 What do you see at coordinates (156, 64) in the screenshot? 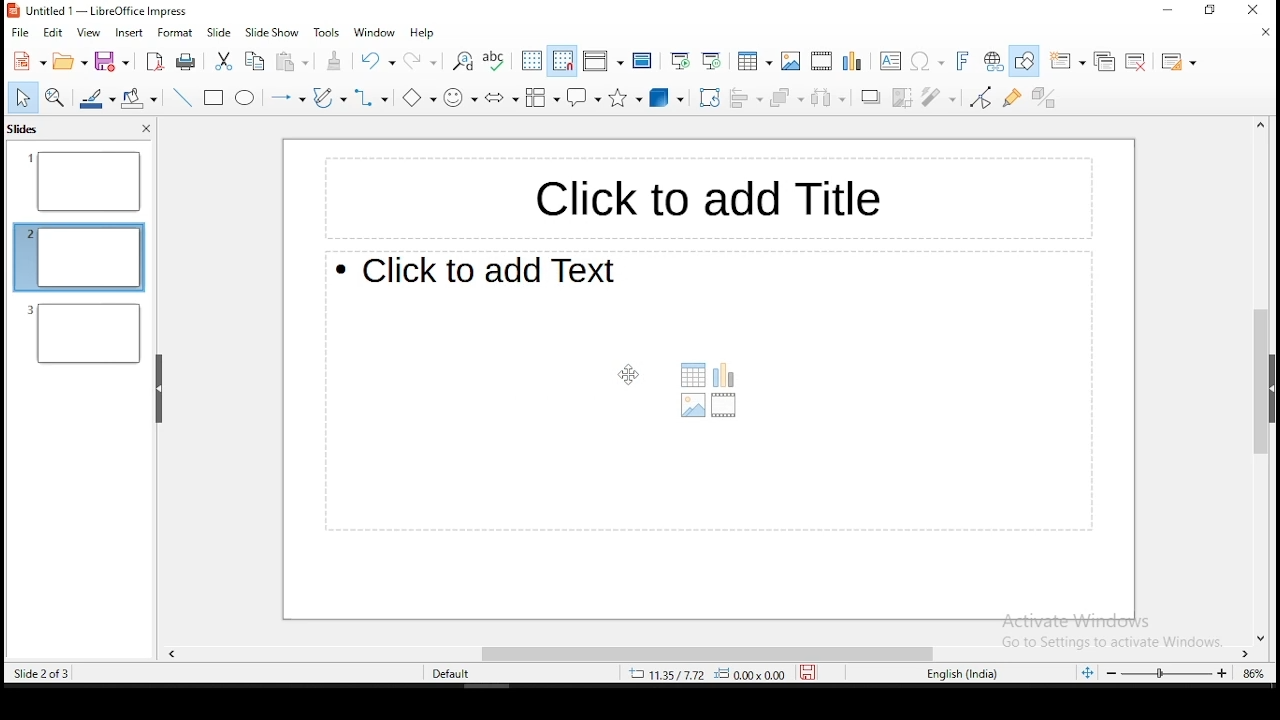
I see `export as pdf` at bounding box center [156, 64].